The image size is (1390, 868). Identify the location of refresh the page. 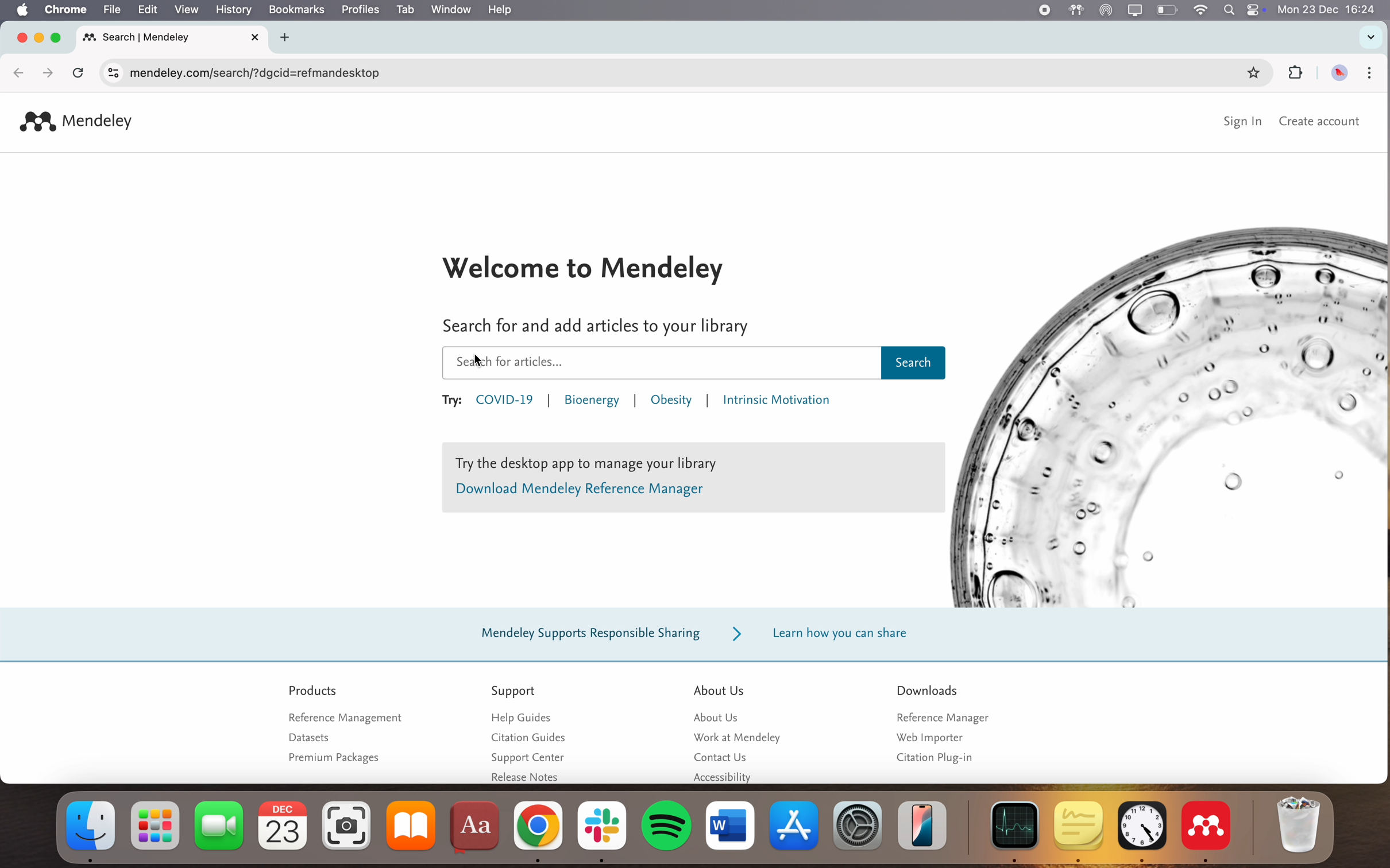
(78, 71).